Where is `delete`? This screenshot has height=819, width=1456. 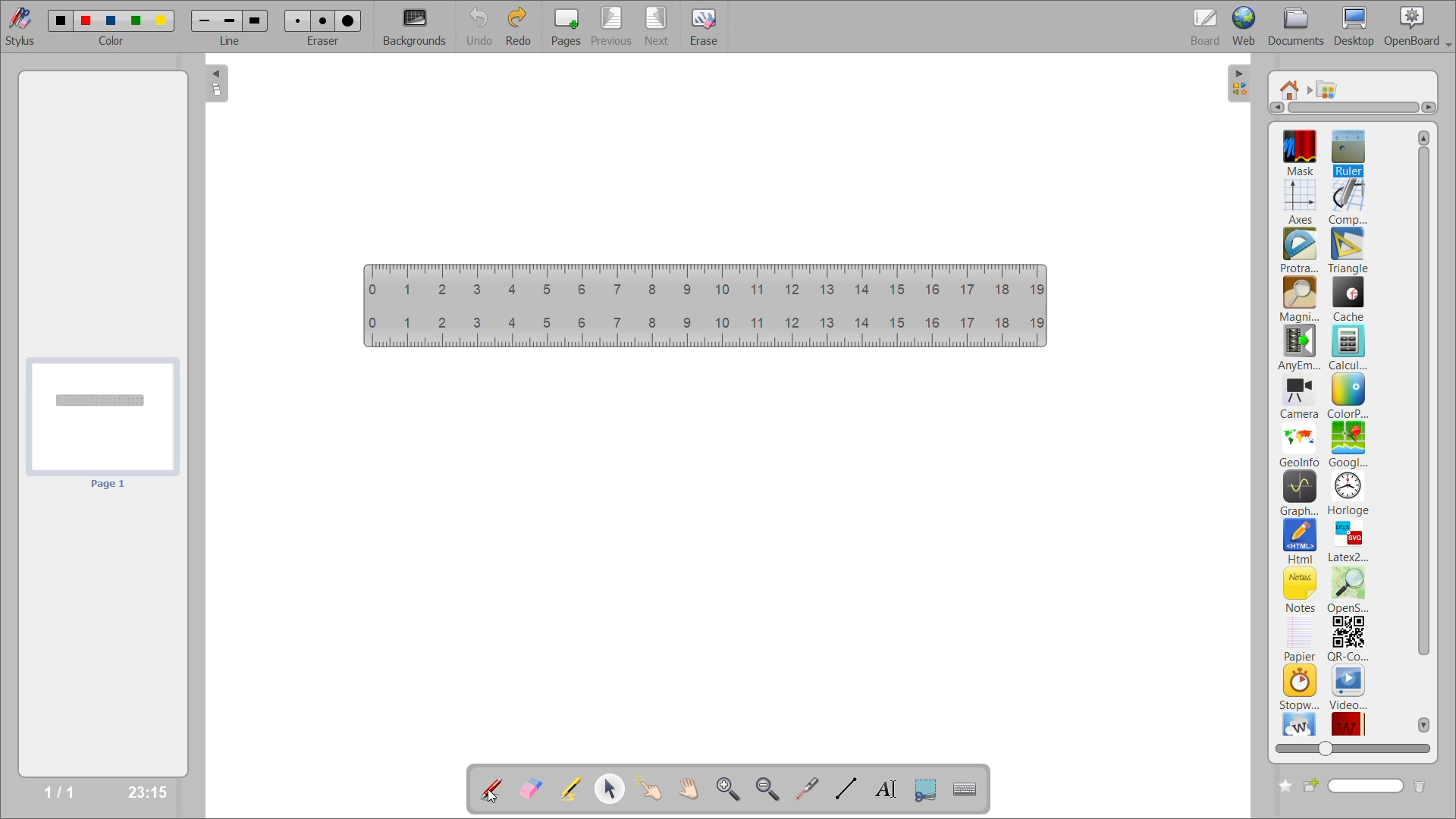 delete is located at coordinates (1420, 786).